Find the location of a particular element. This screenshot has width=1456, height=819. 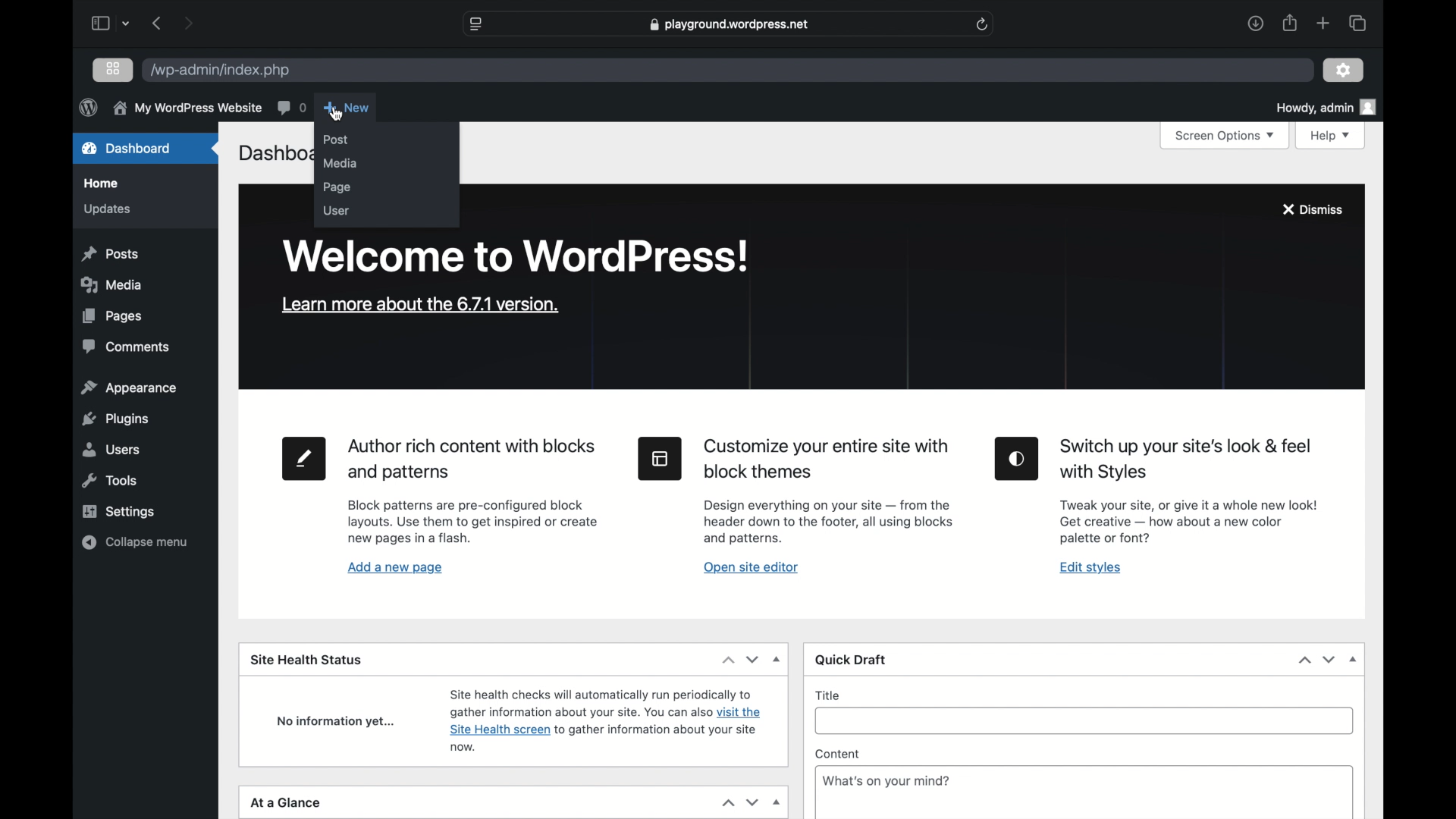

tools is located at coordinates (110, 481).